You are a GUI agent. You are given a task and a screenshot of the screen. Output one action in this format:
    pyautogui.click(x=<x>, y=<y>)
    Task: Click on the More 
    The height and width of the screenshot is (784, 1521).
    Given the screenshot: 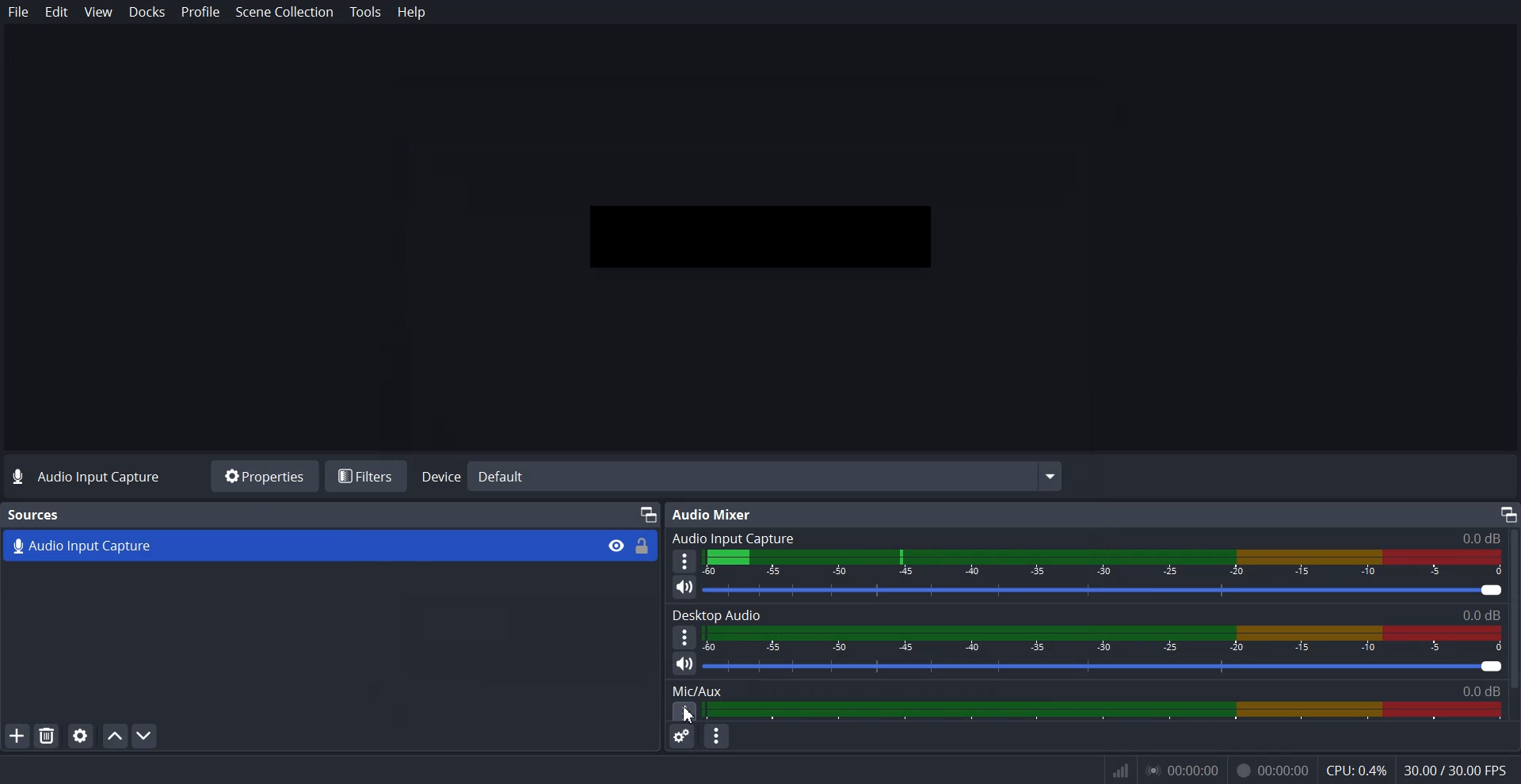 What is the action you would take?
    pyautogui.click(x=684, y=561)
    